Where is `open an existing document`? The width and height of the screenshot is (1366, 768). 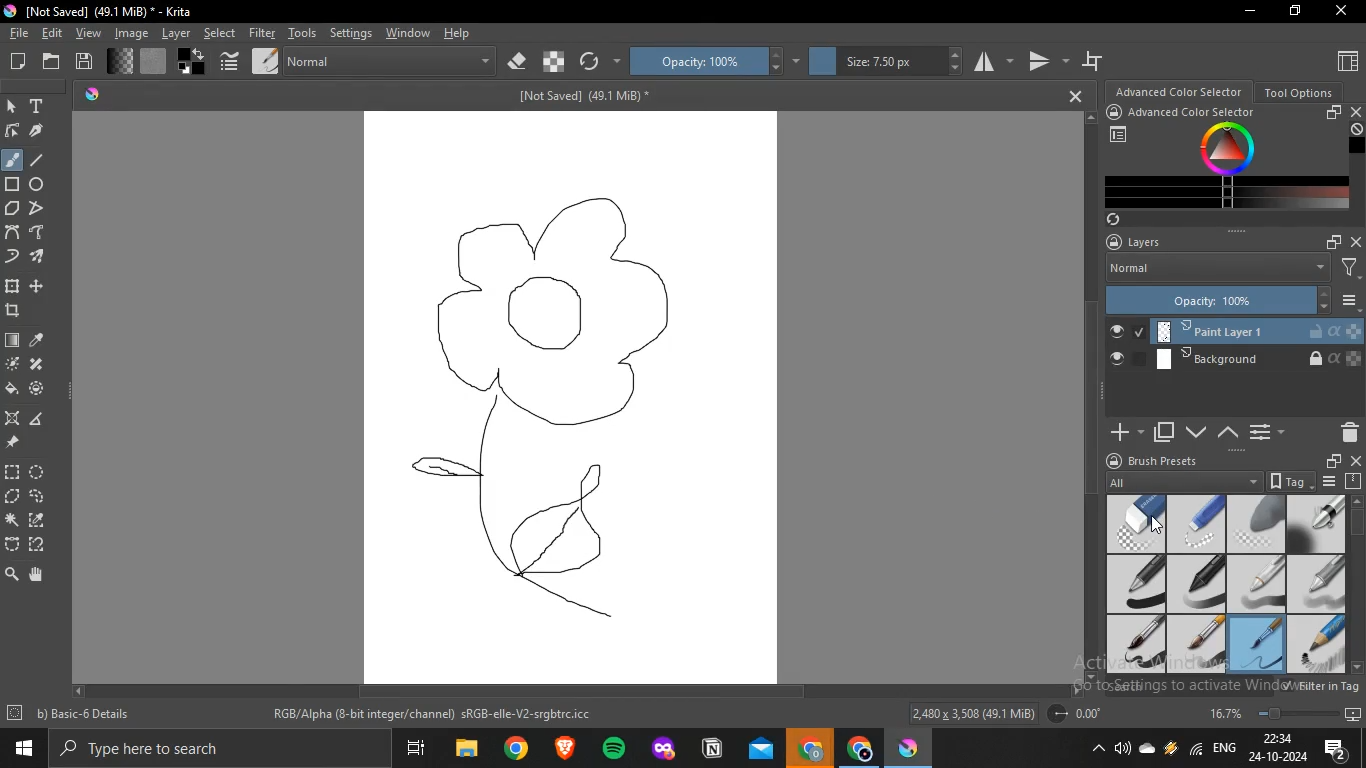
open an existing document is located at coordinates (54, 61).